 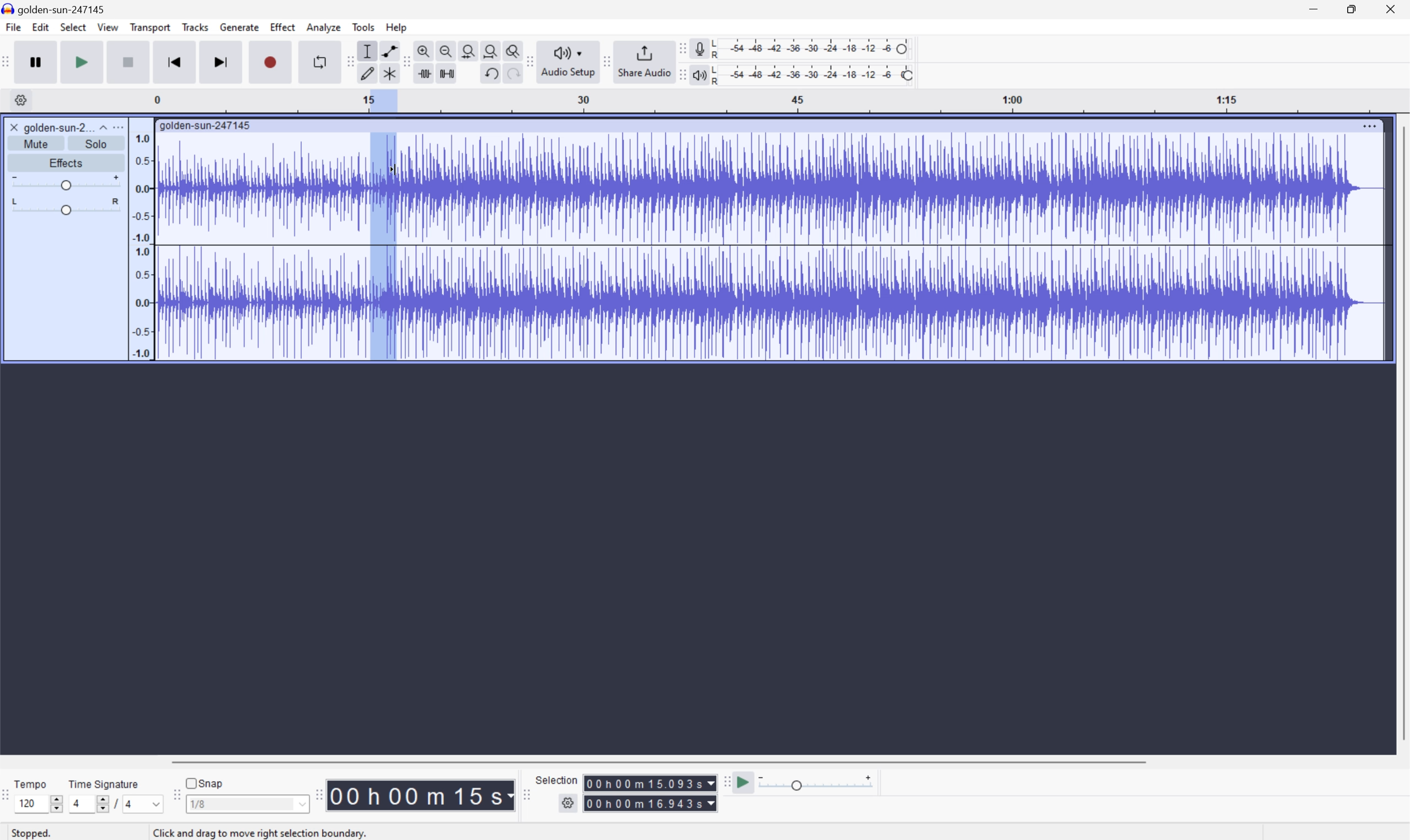 What do you see at coordinates (315, 792) in the screenshot?
I see `Audacity Time toolbar` at bounding box center [315, 792].